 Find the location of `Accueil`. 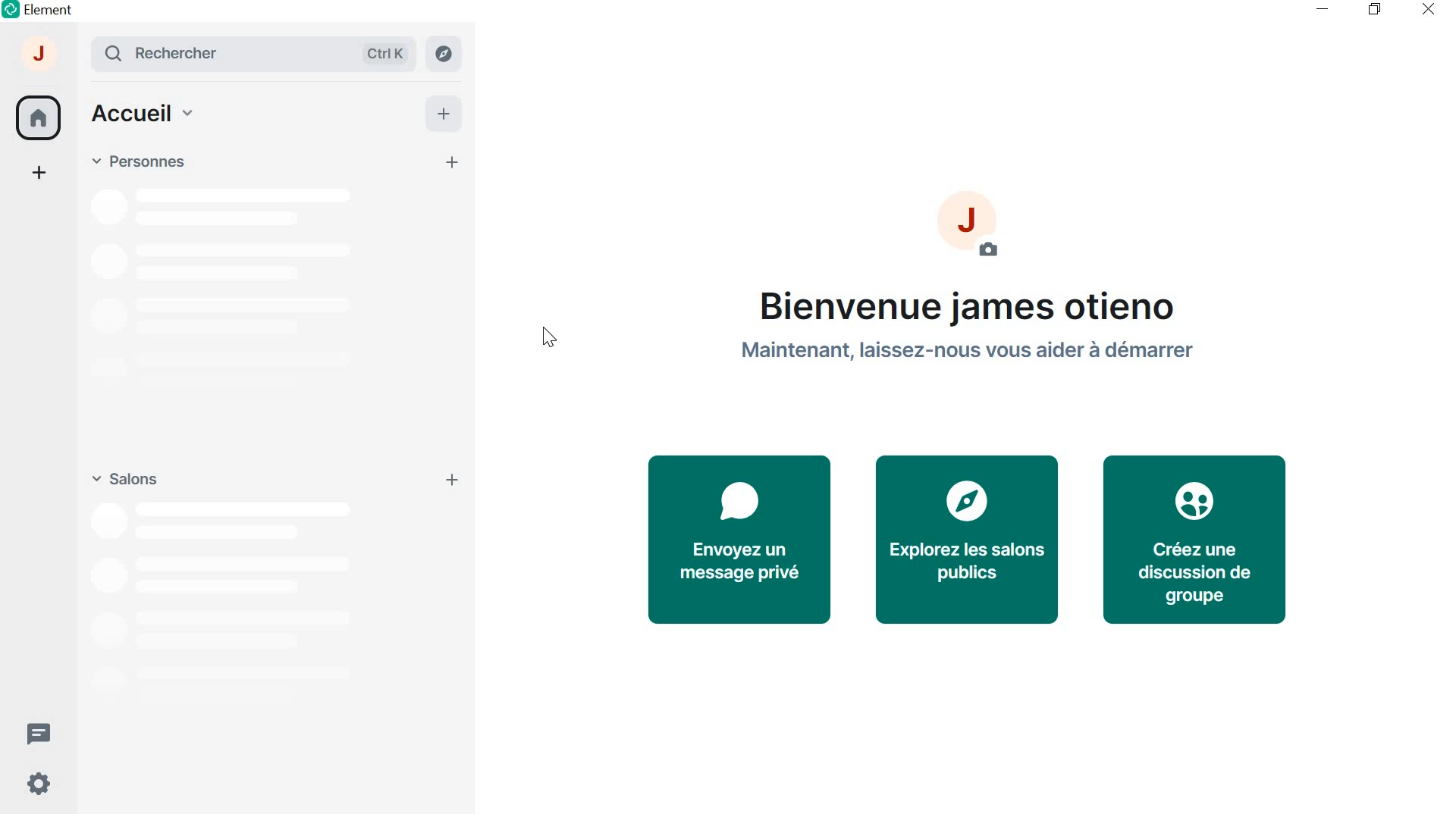

Accueil is located at coordinates (143, 115).